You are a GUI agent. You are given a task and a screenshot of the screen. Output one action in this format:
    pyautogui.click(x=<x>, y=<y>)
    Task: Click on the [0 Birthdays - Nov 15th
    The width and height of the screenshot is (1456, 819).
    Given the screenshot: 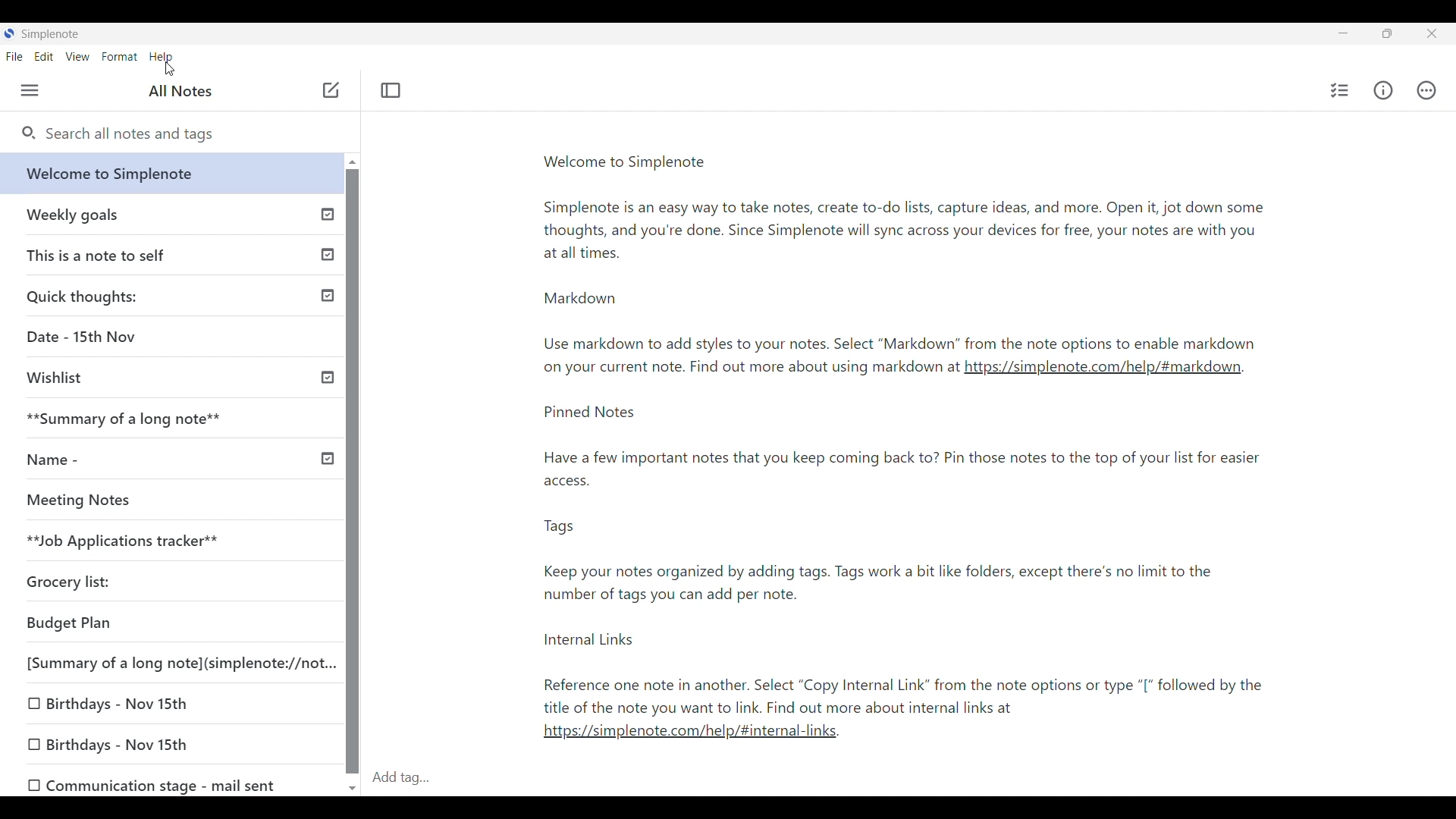 What is the action you would take?
    pyautogui.click(x=102, y=745)
    